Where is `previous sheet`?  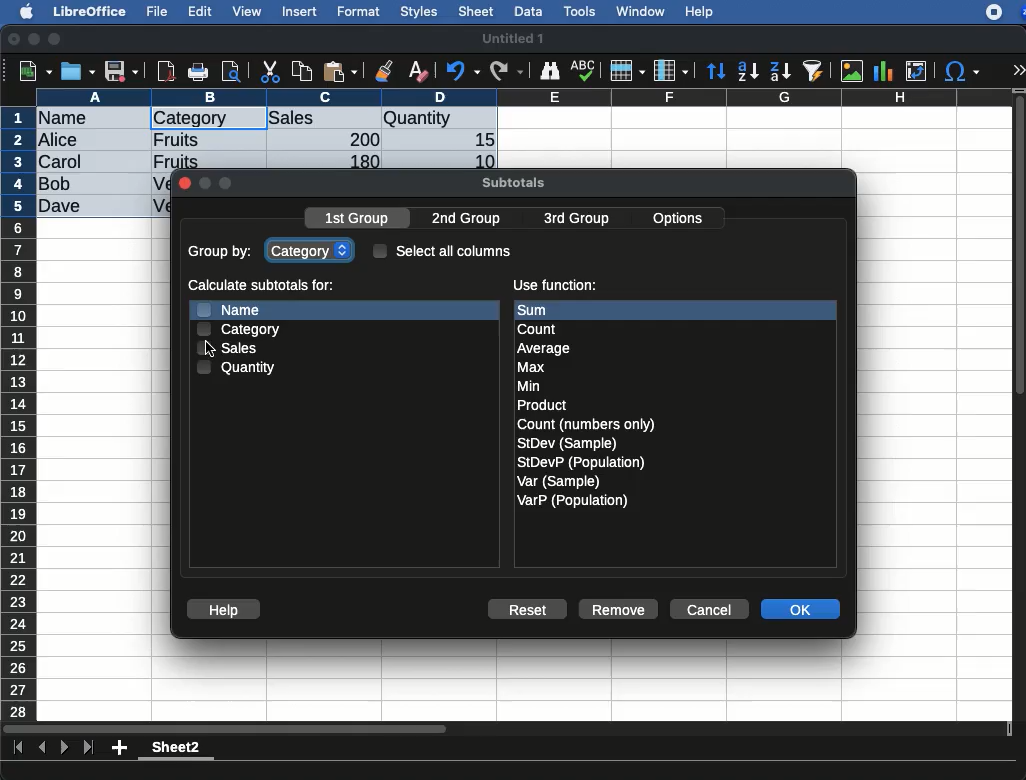 previous sheet is located at coordinates (44, 748).